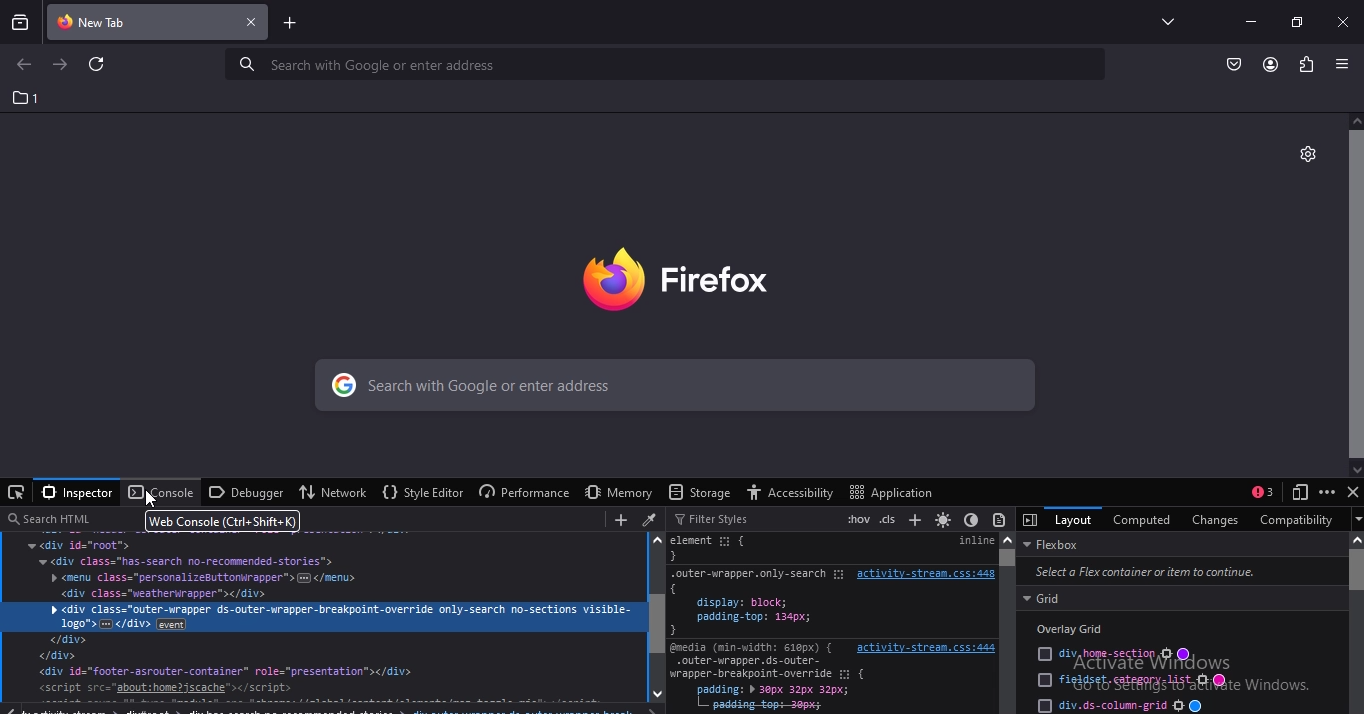  Describe the element at coordinates (1297, 519) in the screenshot. I see `compatiabilty` at that location.